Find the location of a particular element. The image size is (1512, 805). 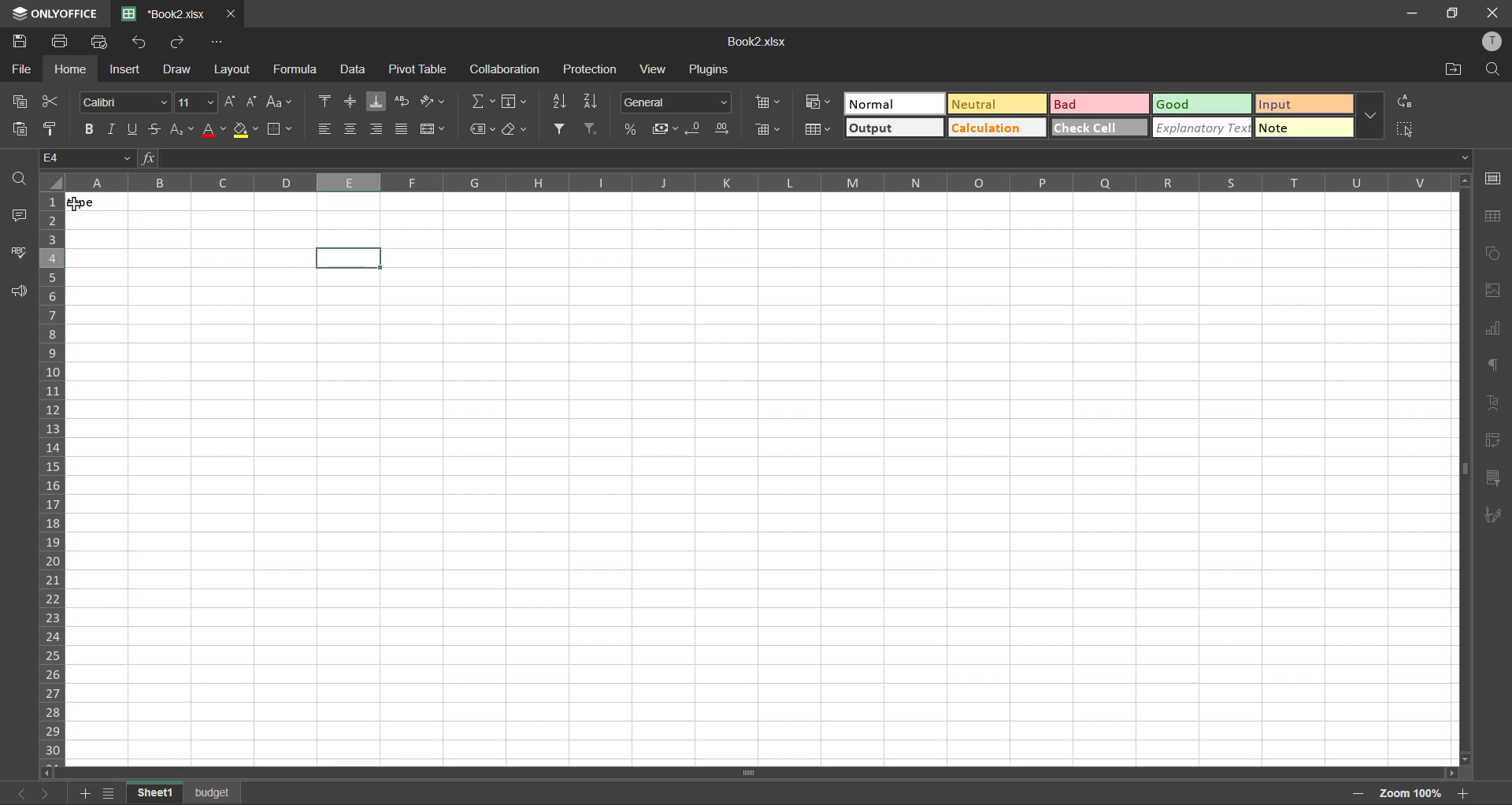

more options is located at coordinates (1369, 116).